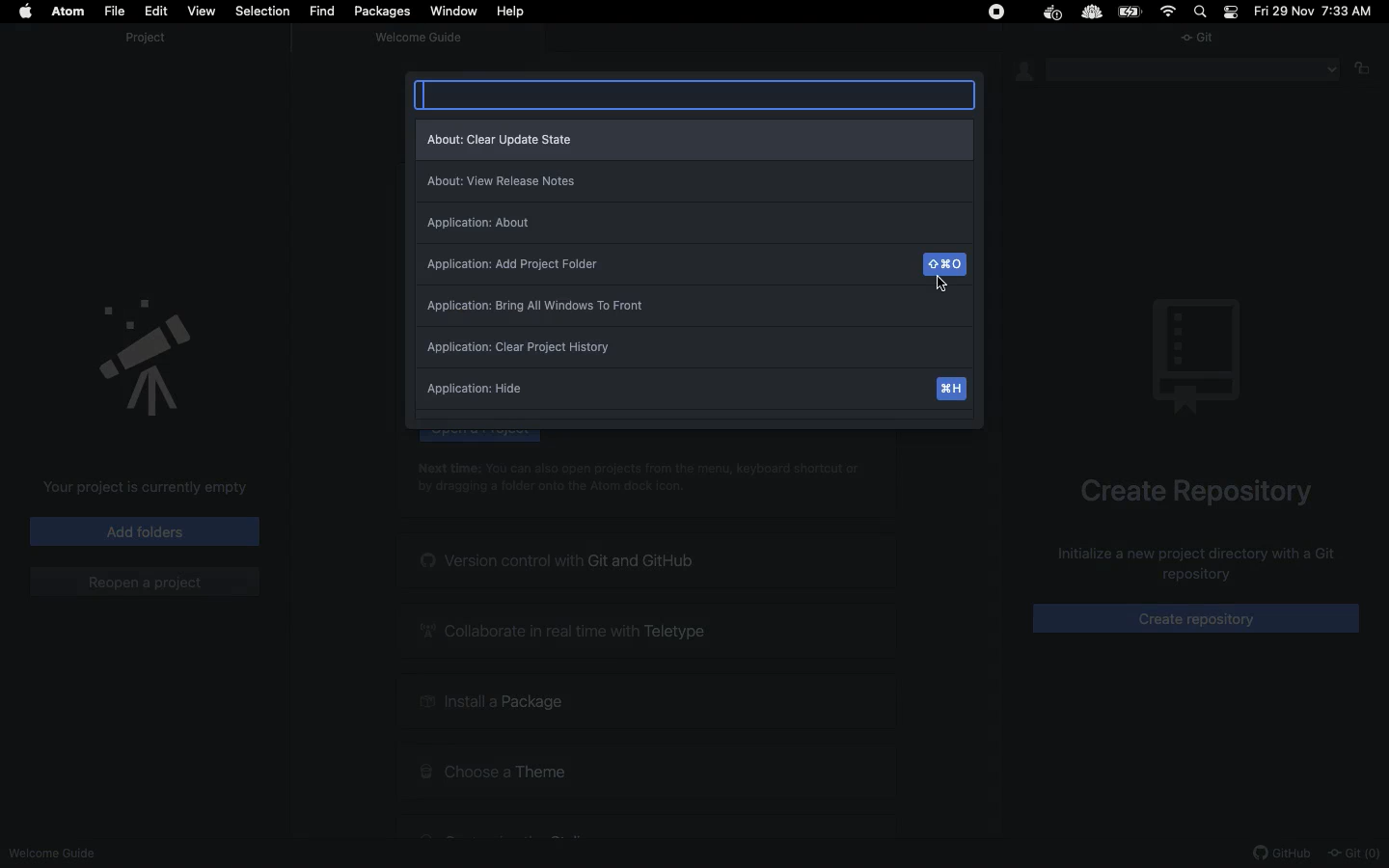 This screenshot has height=868, width=1389. I want to click on Github, so click(1283, 854).